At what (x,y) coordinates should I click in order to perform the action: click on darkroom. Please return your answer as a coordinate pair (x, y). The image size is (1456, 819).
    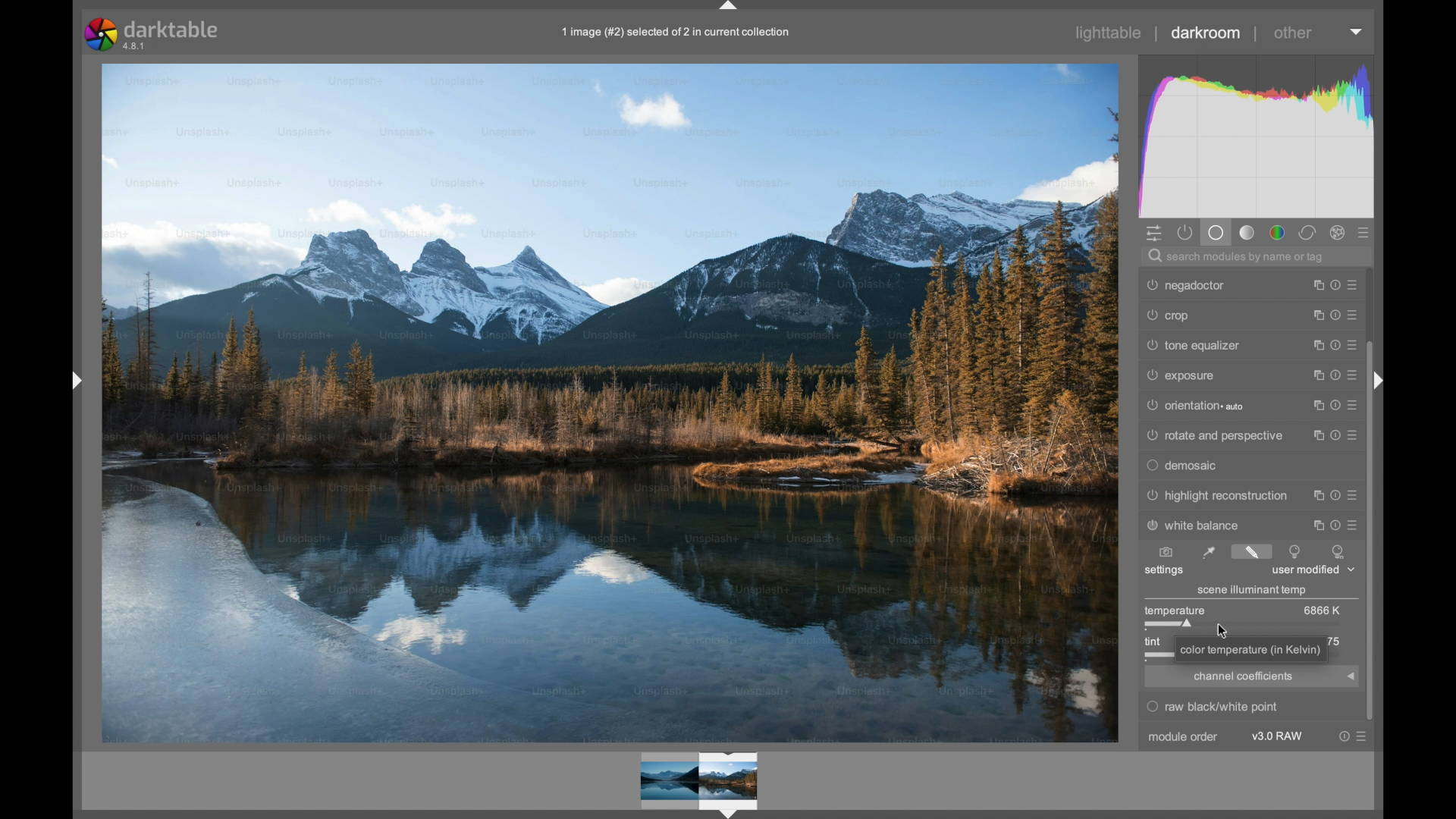
    Looking at the image, I should click on (1207, 33).